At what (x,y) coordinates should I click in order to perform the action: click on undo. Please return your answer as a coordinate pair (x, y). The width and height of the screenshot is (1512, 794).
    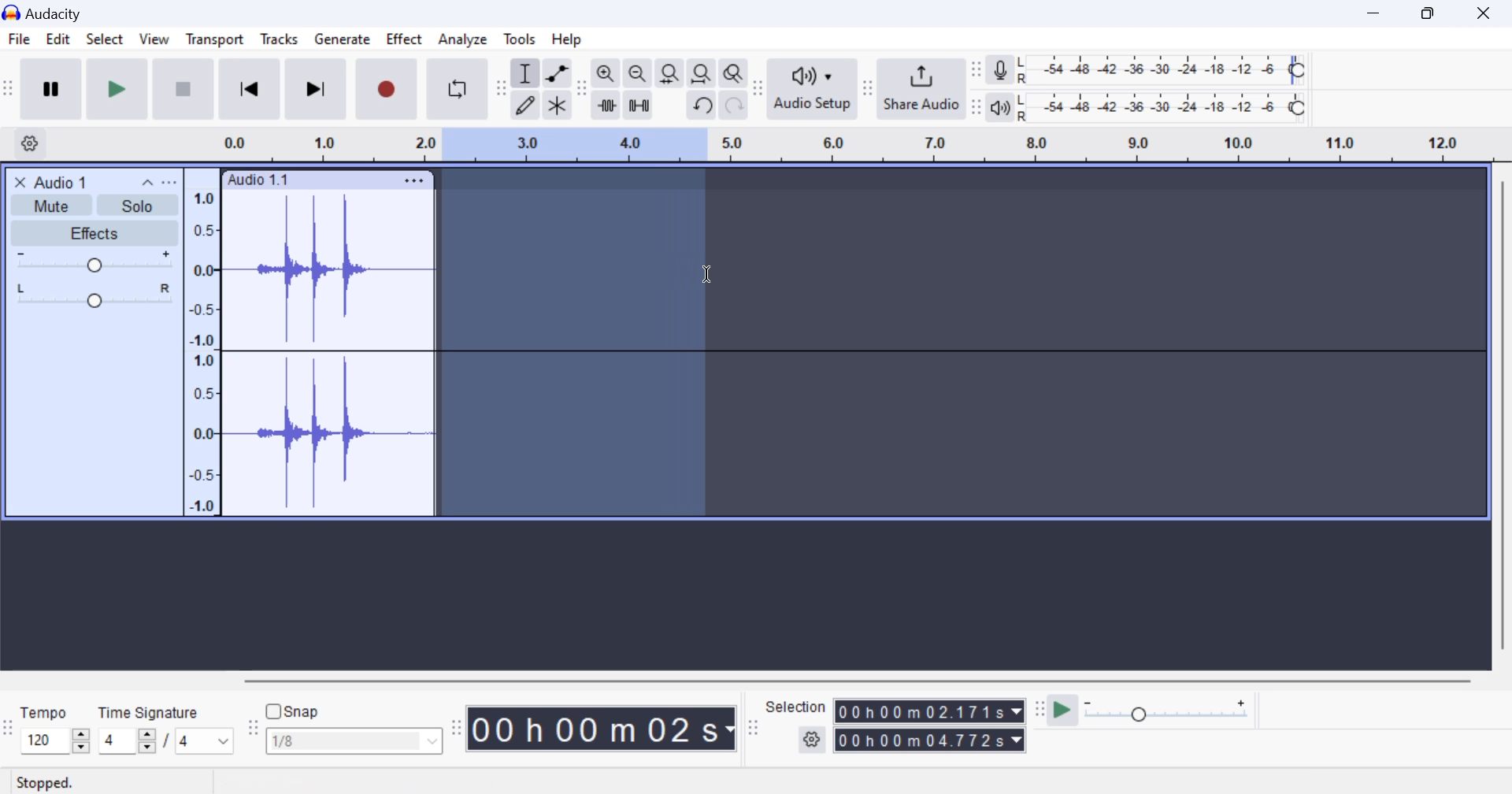
    Looking at the image, I should click on (703, 106).